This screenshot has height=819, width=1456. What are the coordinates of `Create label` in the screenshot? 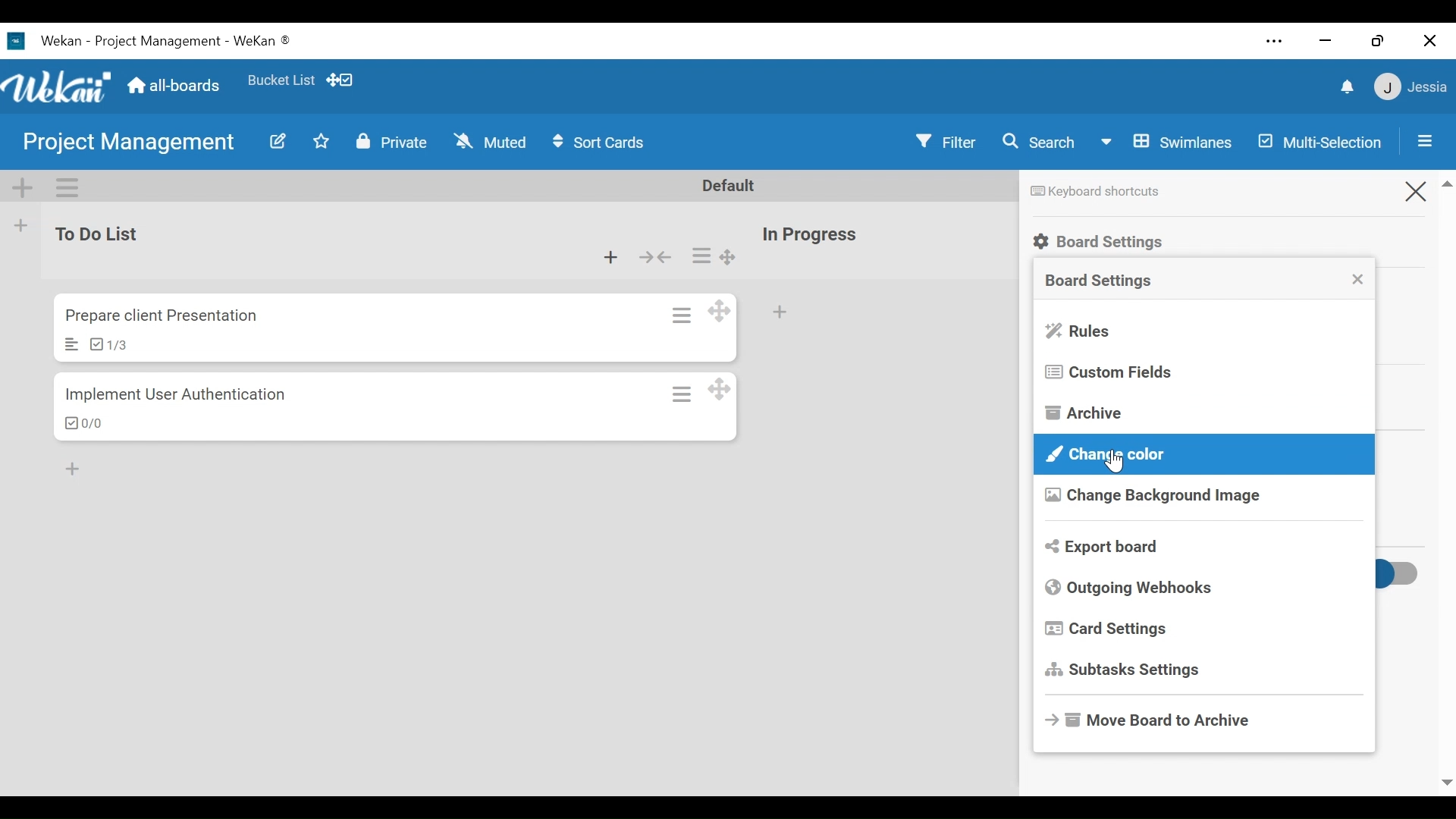 It's located at (1293, 490).